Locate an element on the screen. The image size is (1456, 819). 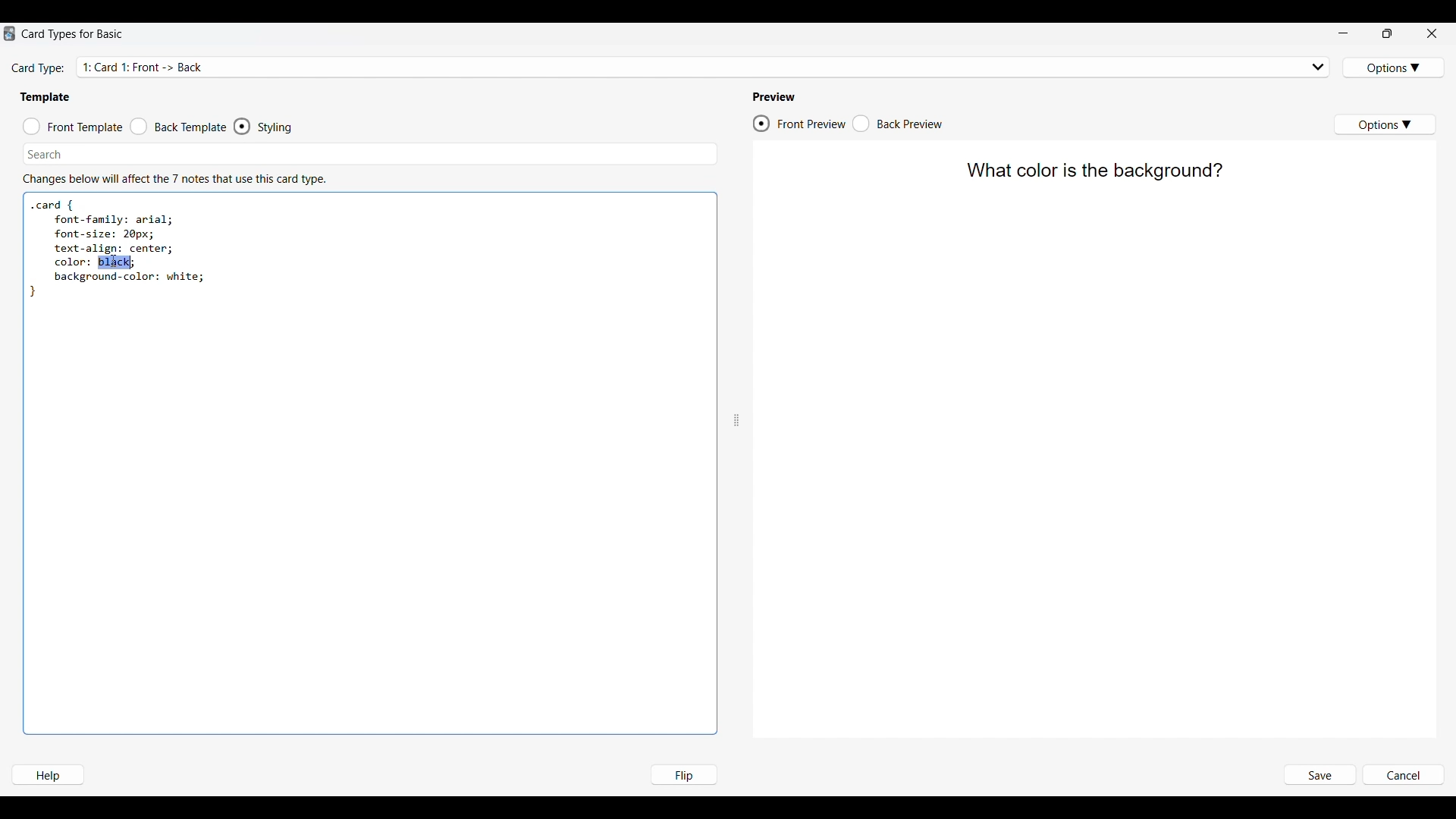
Template styling is located at coordinates (278, 127).